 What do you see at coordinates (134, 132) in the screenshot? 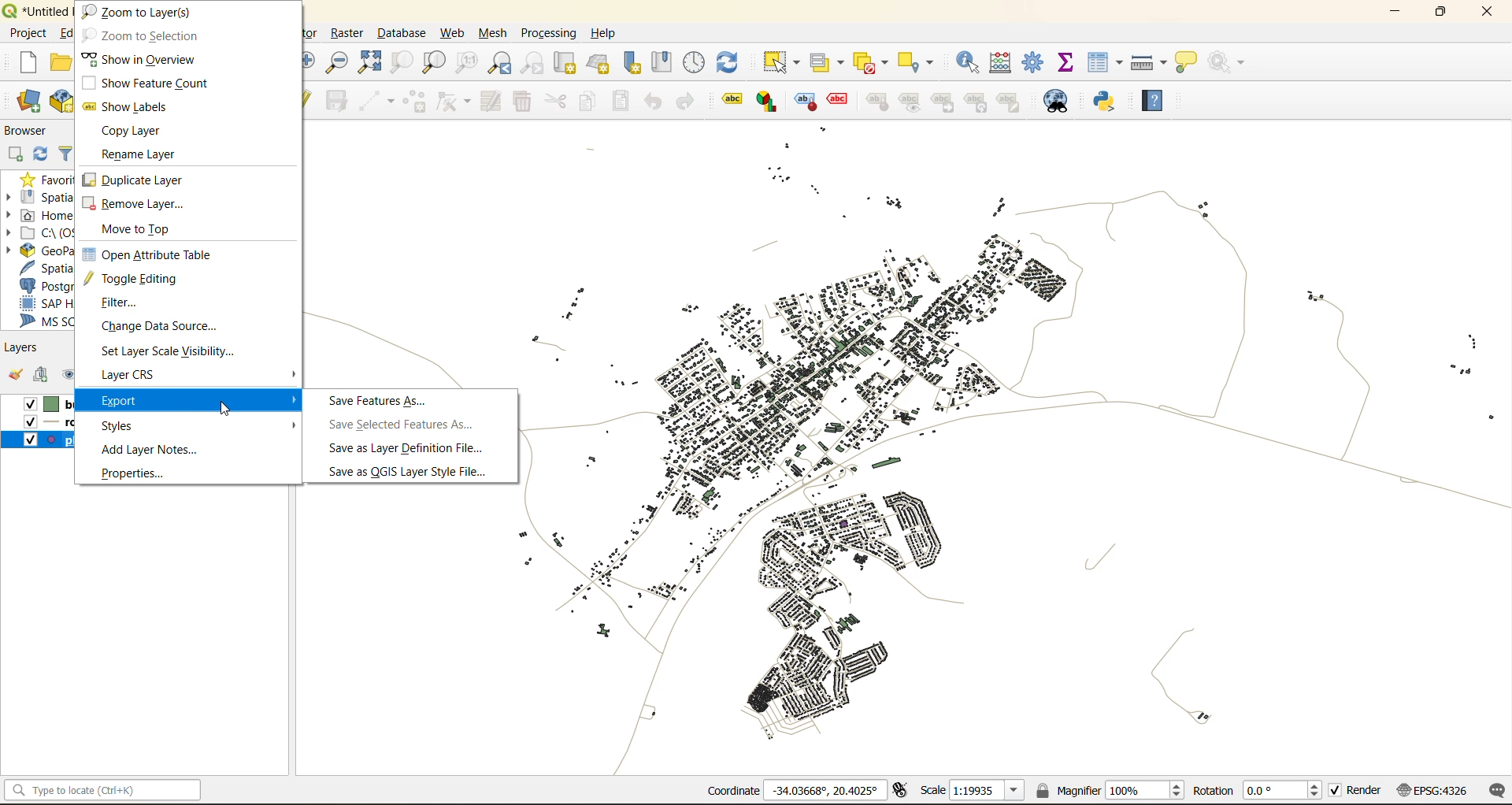
I see `copy layer` at bounding box center [134, 132].